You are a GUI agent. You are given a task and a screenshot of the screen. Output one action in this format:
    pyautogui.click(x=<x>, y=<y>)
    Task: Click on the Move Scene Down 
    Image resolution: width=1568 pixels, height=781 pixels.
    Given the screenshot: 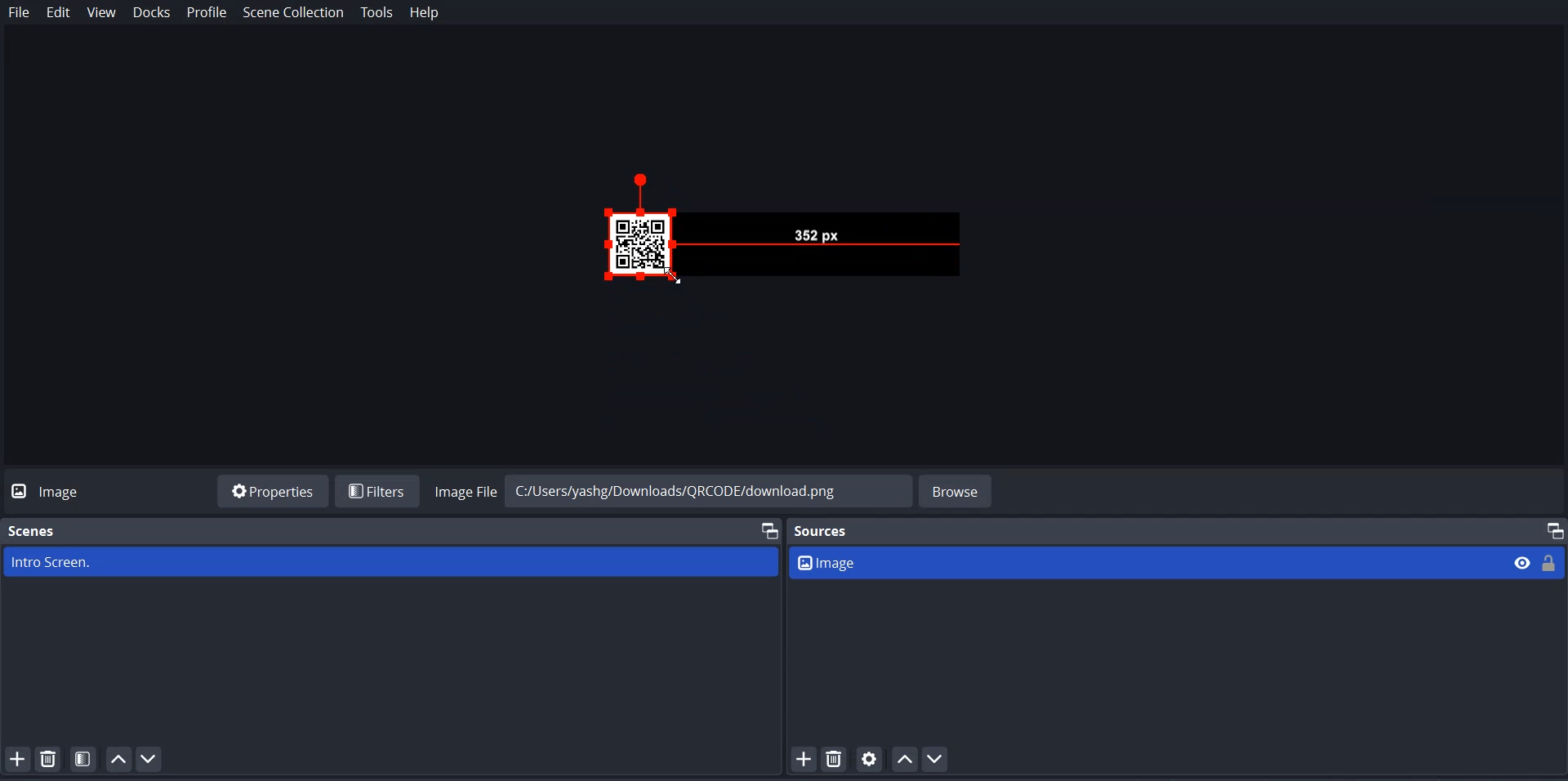 What is the action you would take?
    pyautogui.click(x=150, y=759)
    